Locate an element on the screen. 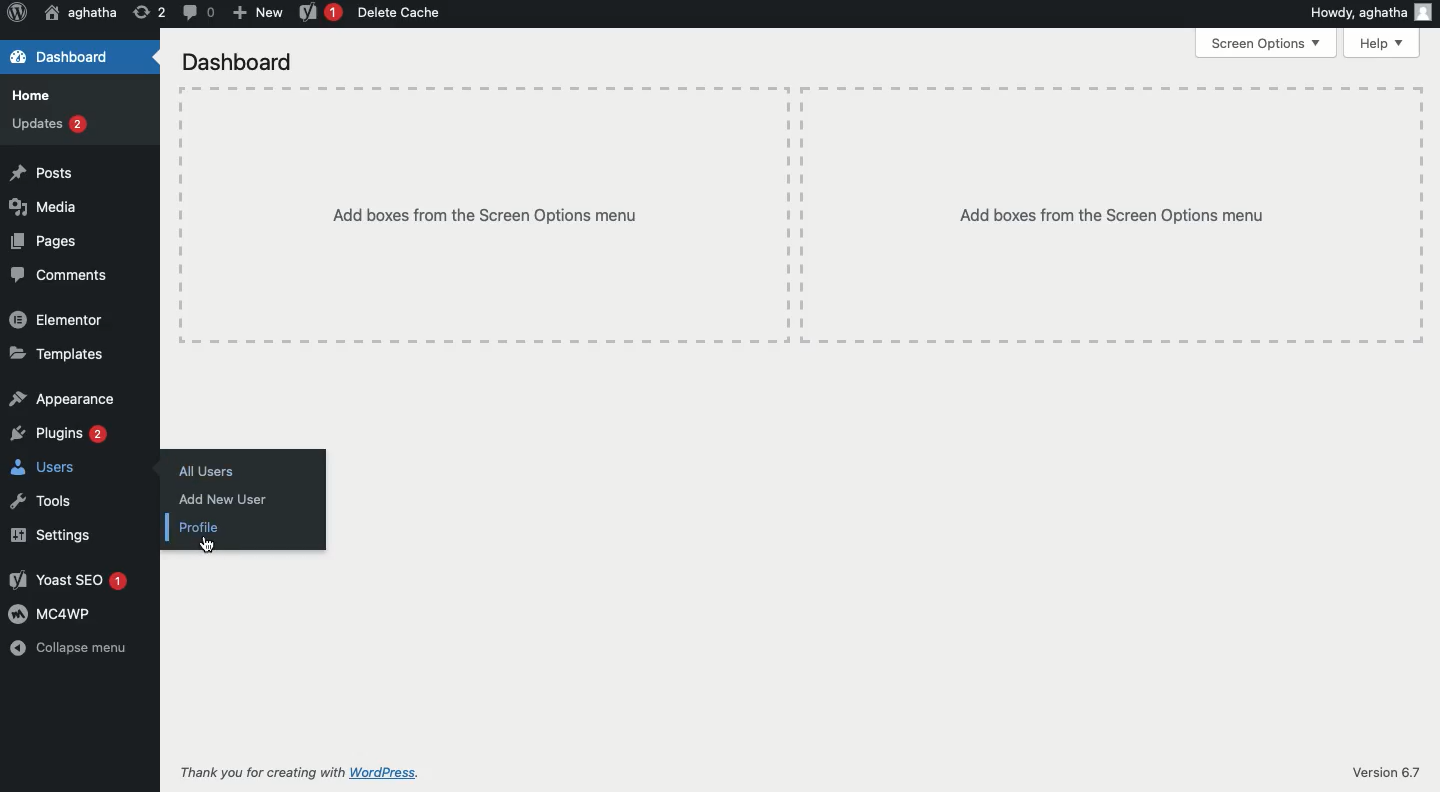  Howdy user is located at coordinates (1368, 12).